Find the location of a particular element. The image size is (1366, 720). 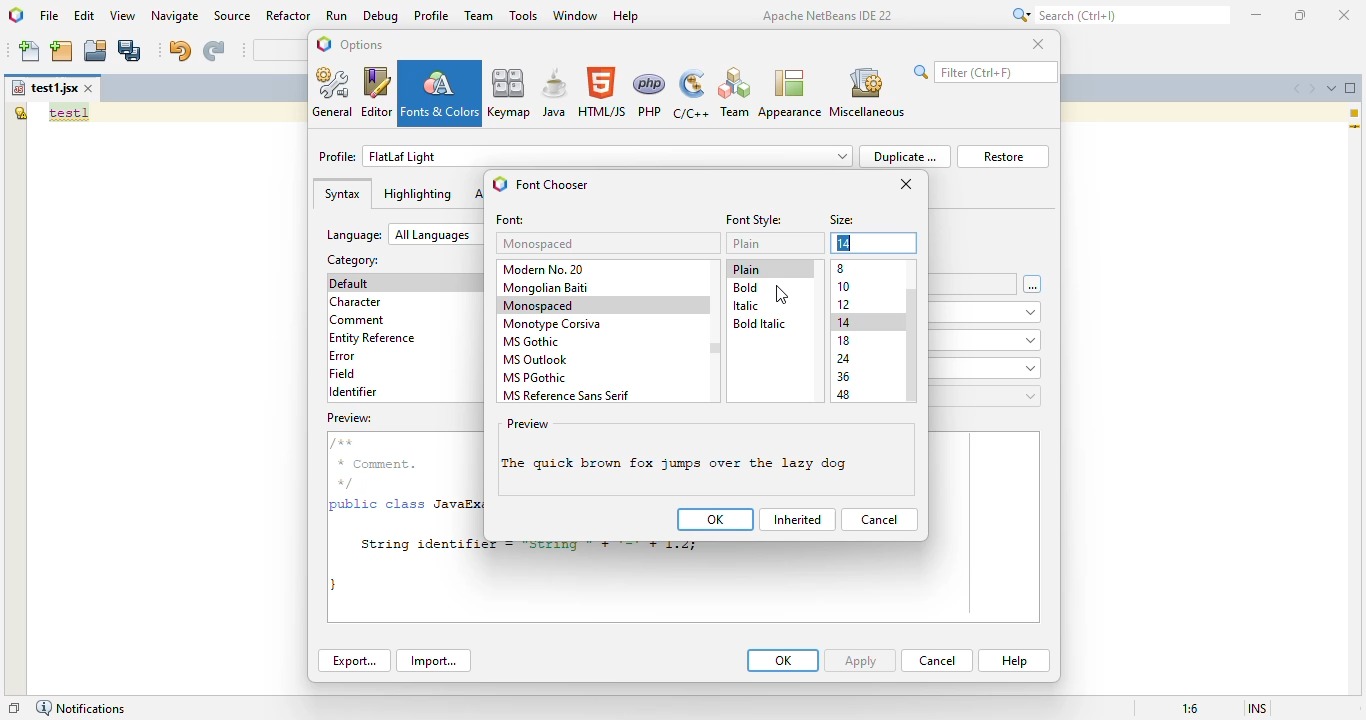

OK is located at coordinates (716, 519).